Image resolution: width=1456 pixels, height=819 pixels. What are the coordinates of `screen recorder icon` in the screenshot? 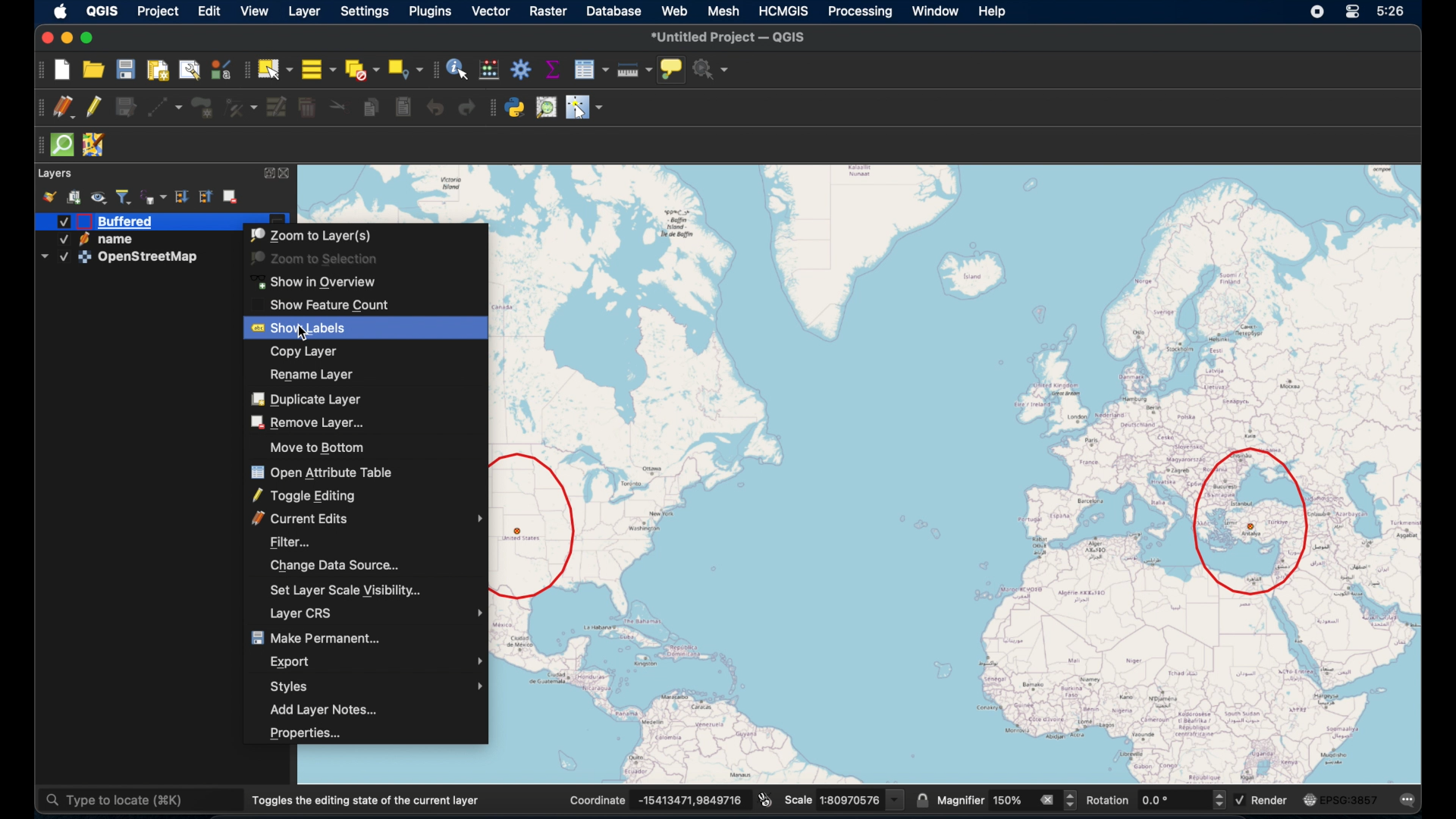 It's located at (1314, 11).